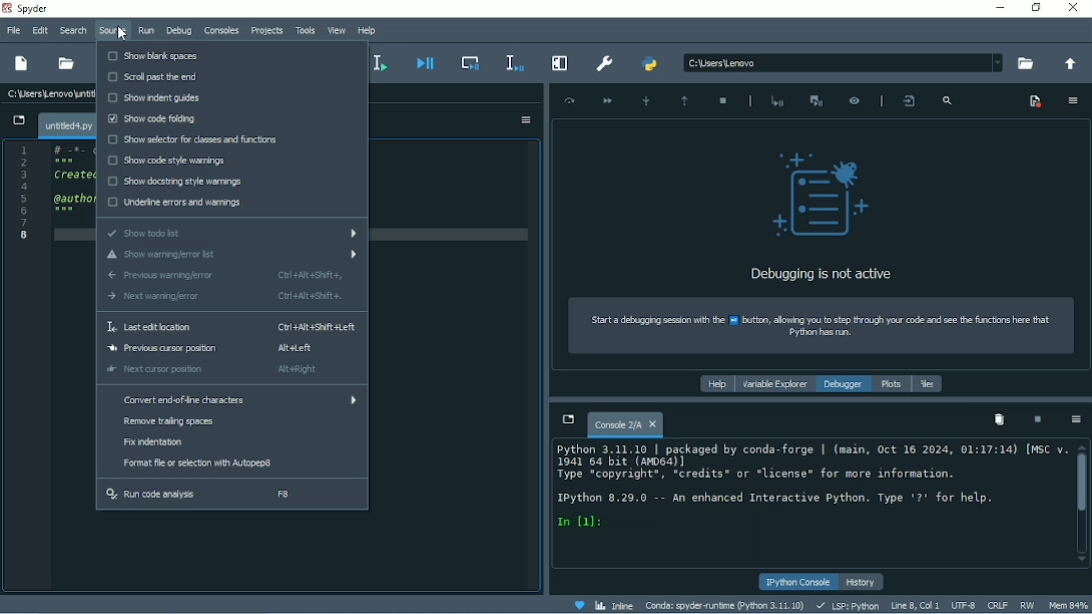 Image resolution: width=1092 pixels, height=614 pixels. Describe the element at coordinates (1024, 64) in the screenshot. I see `Browse a working directory` at that location.